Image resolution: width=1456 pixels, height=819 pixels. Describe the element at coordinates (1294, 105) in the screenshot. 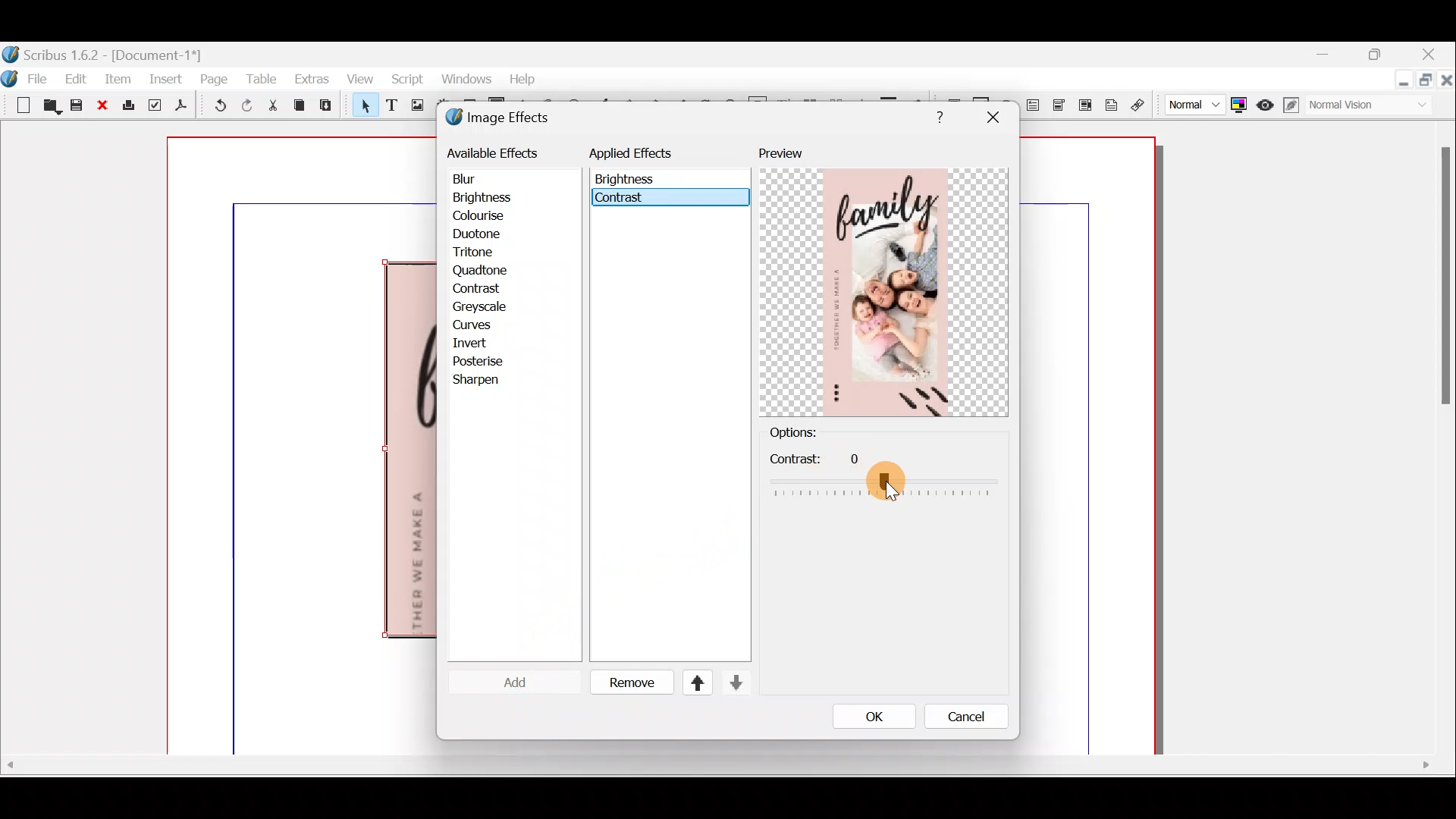

I see `Edit in preview mode` at that location.